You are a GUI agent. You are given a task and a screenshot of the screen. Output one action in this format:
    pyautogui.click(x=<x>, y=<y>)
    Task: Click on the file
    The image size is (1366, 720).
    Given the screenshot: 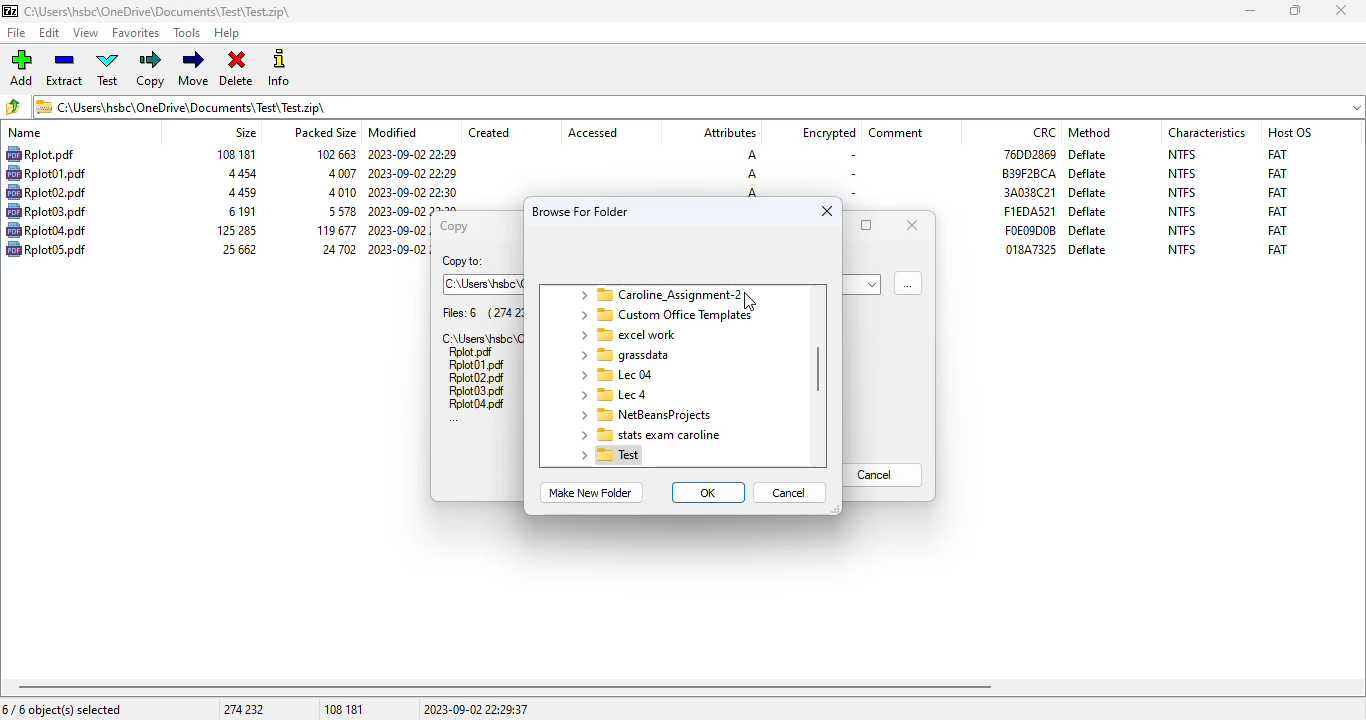 What is the action you would take?
    pyautogui.click(x=46, y=192)
    